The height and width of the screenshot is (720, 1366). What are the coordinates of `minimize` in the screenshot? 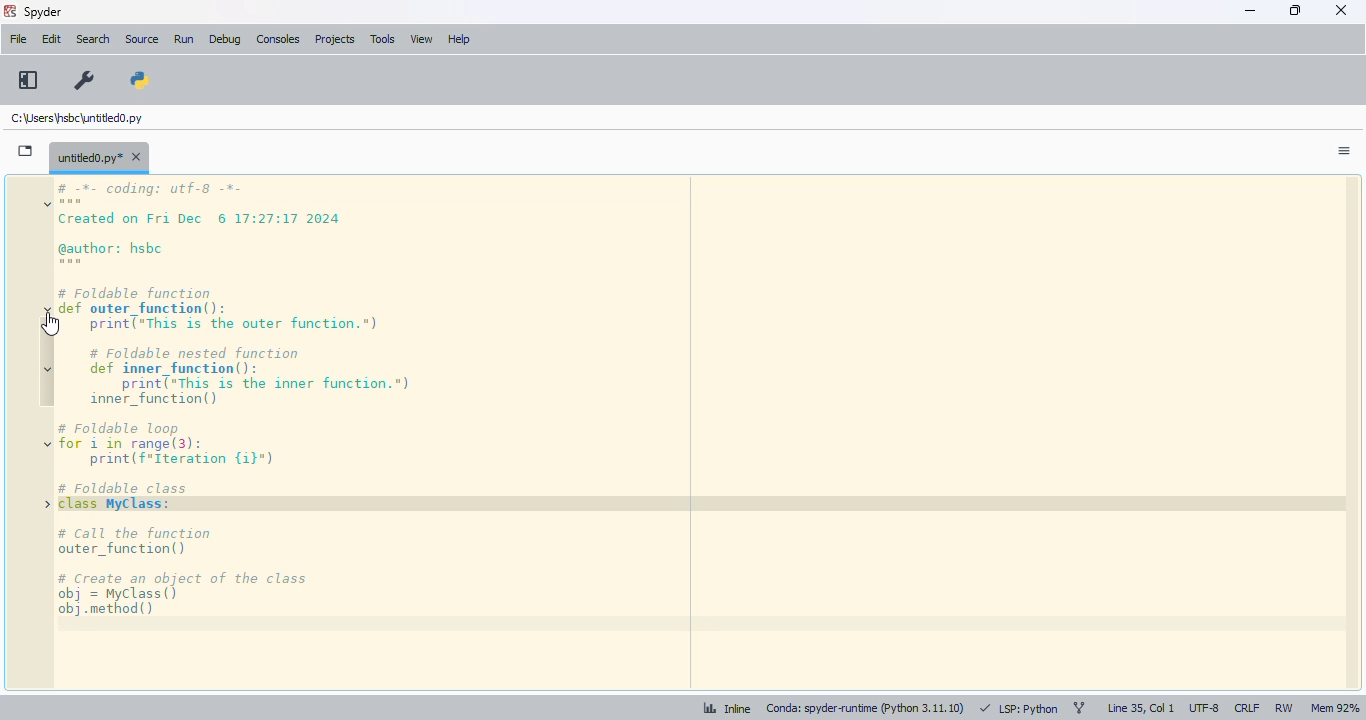 It's located at (1250, 11).